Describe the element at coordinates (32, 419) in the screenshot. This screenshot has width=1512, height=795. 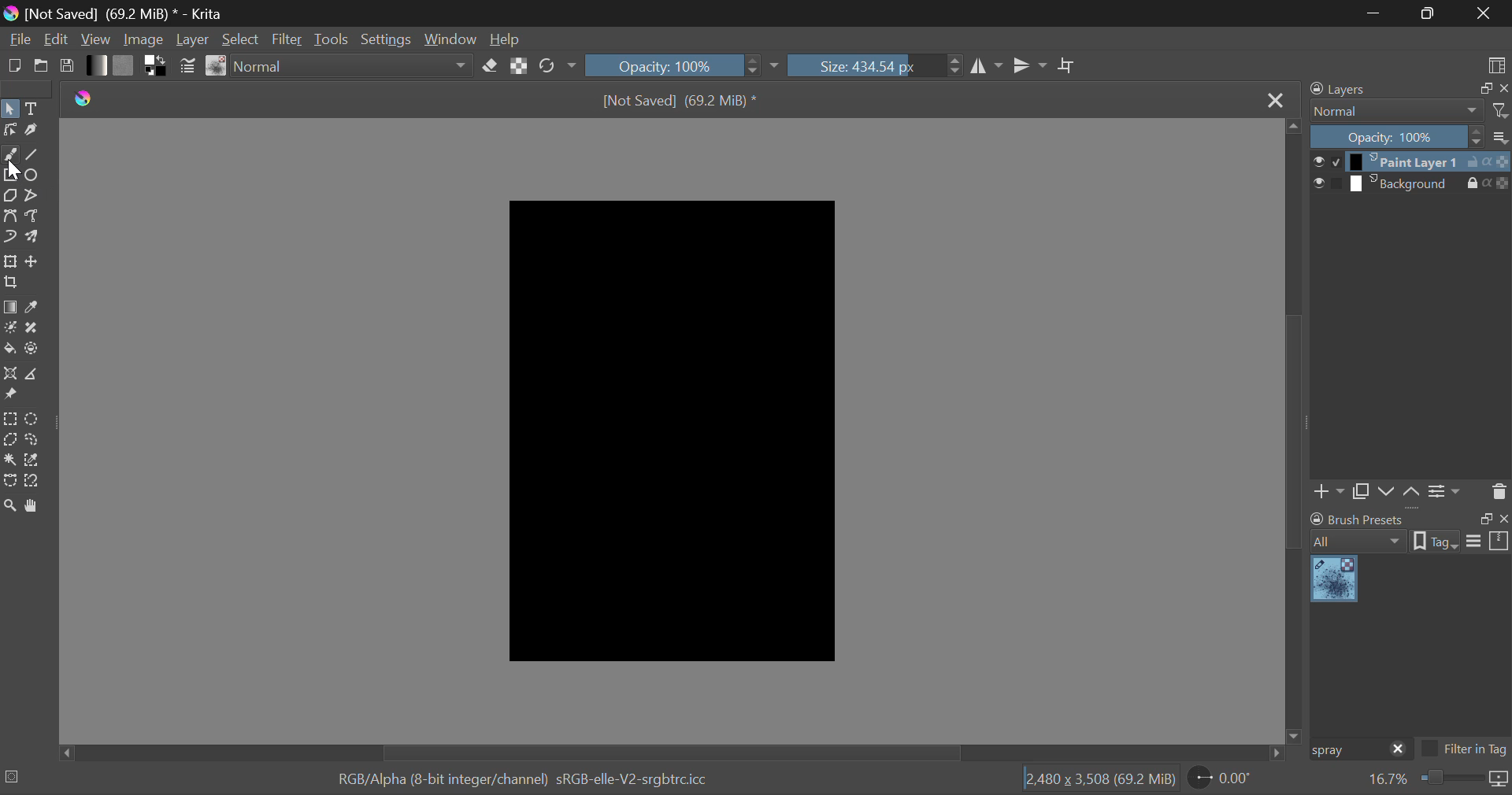
I see `Circular Selection` at that location.